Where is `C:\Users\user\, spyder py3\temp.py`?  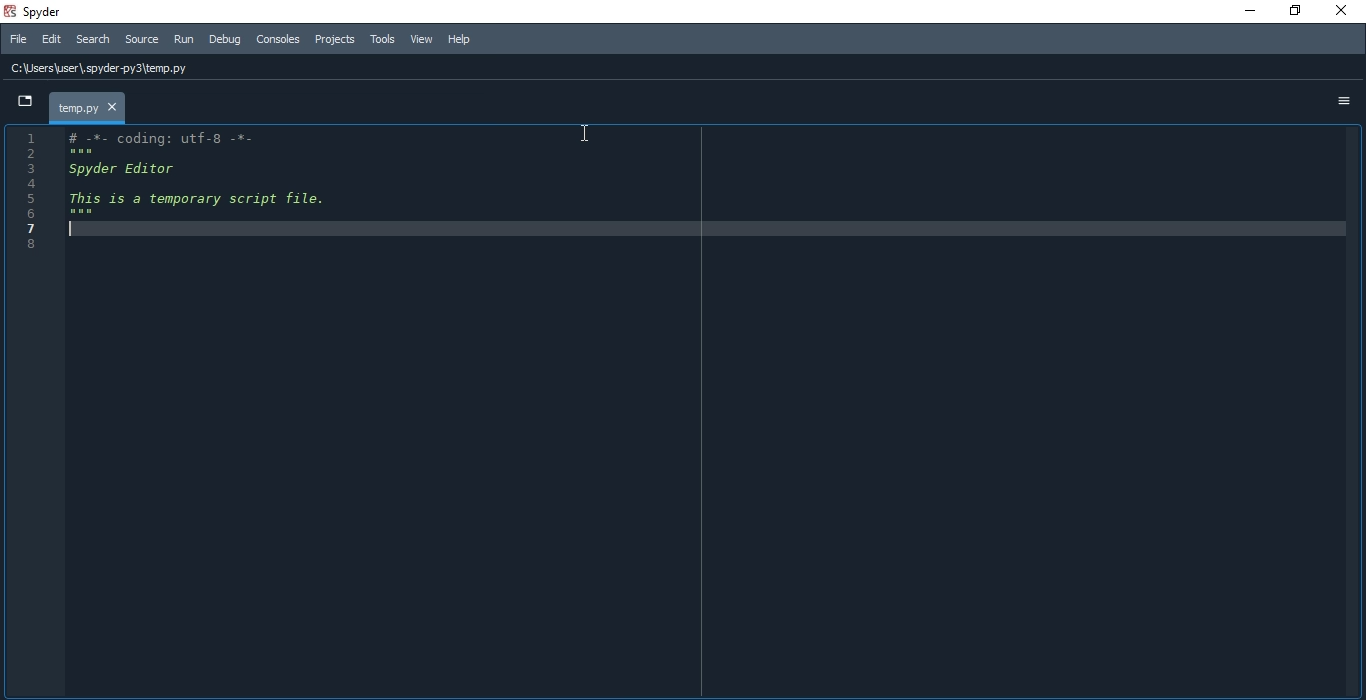
C:\Users\user\, spyder py3\temp.py is located at coordinates (107, 71).